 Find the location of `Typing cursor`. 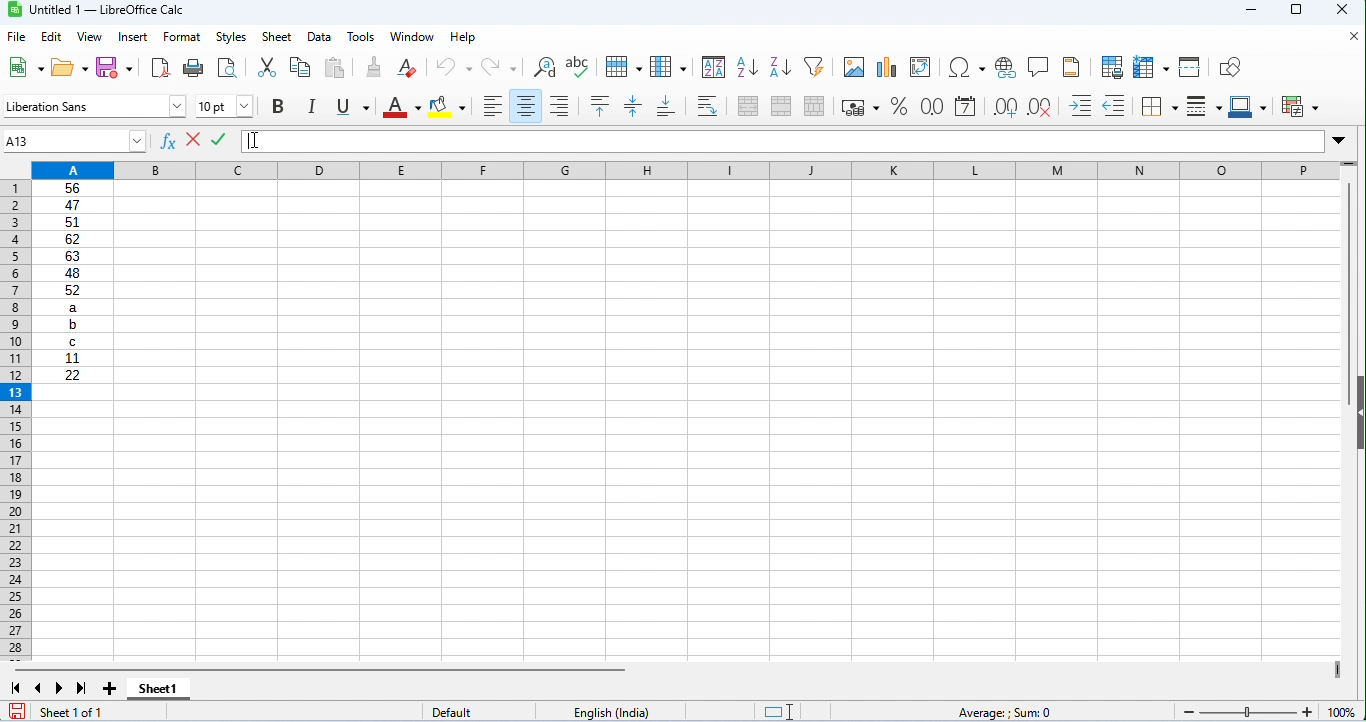

Typing cursor is located at coordinates (248, 141).